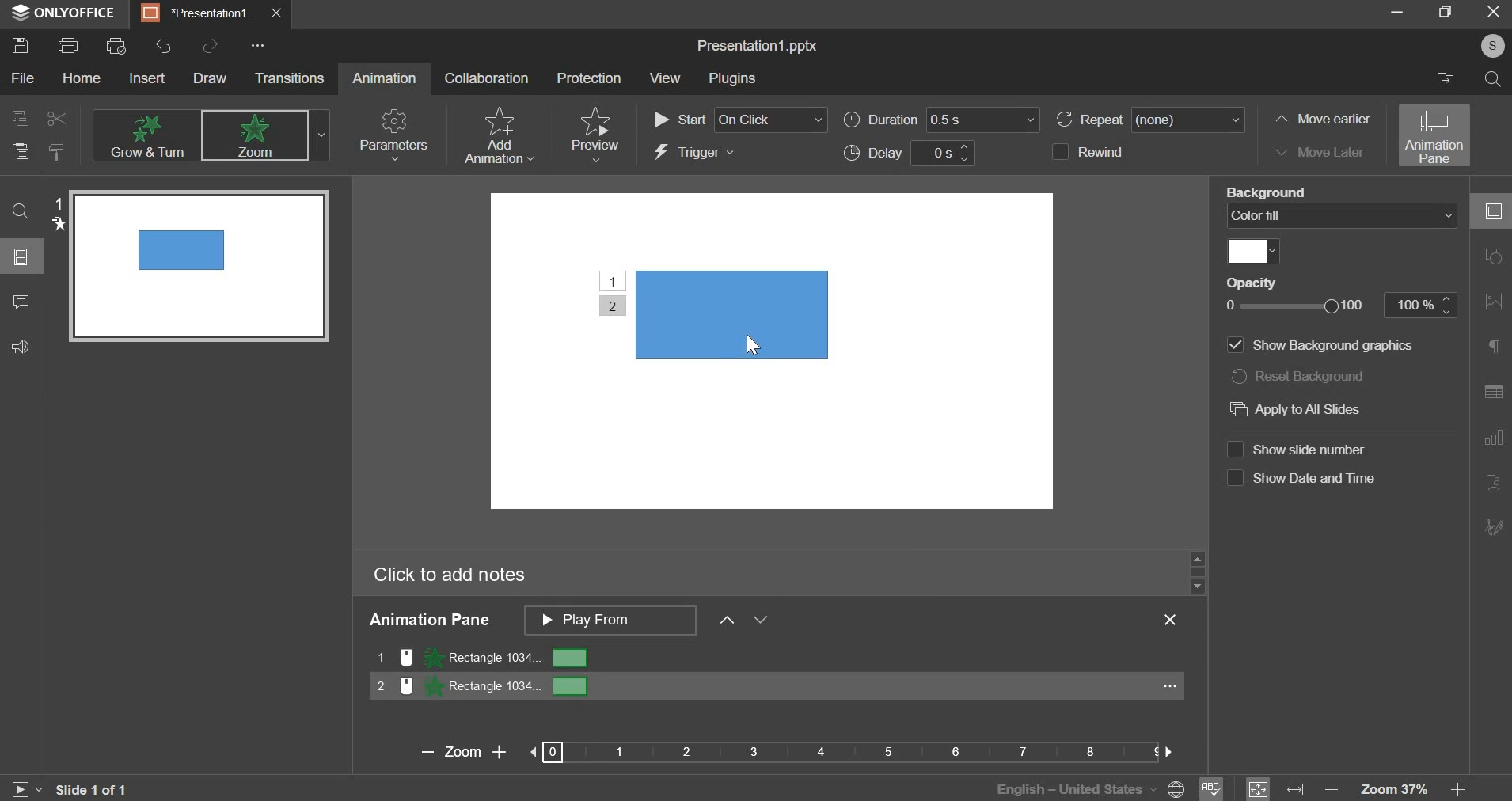 The image size is (1512, 801). Describe the element at coordinates (291, 80) in the screenshot. I see `transitions` at that location.